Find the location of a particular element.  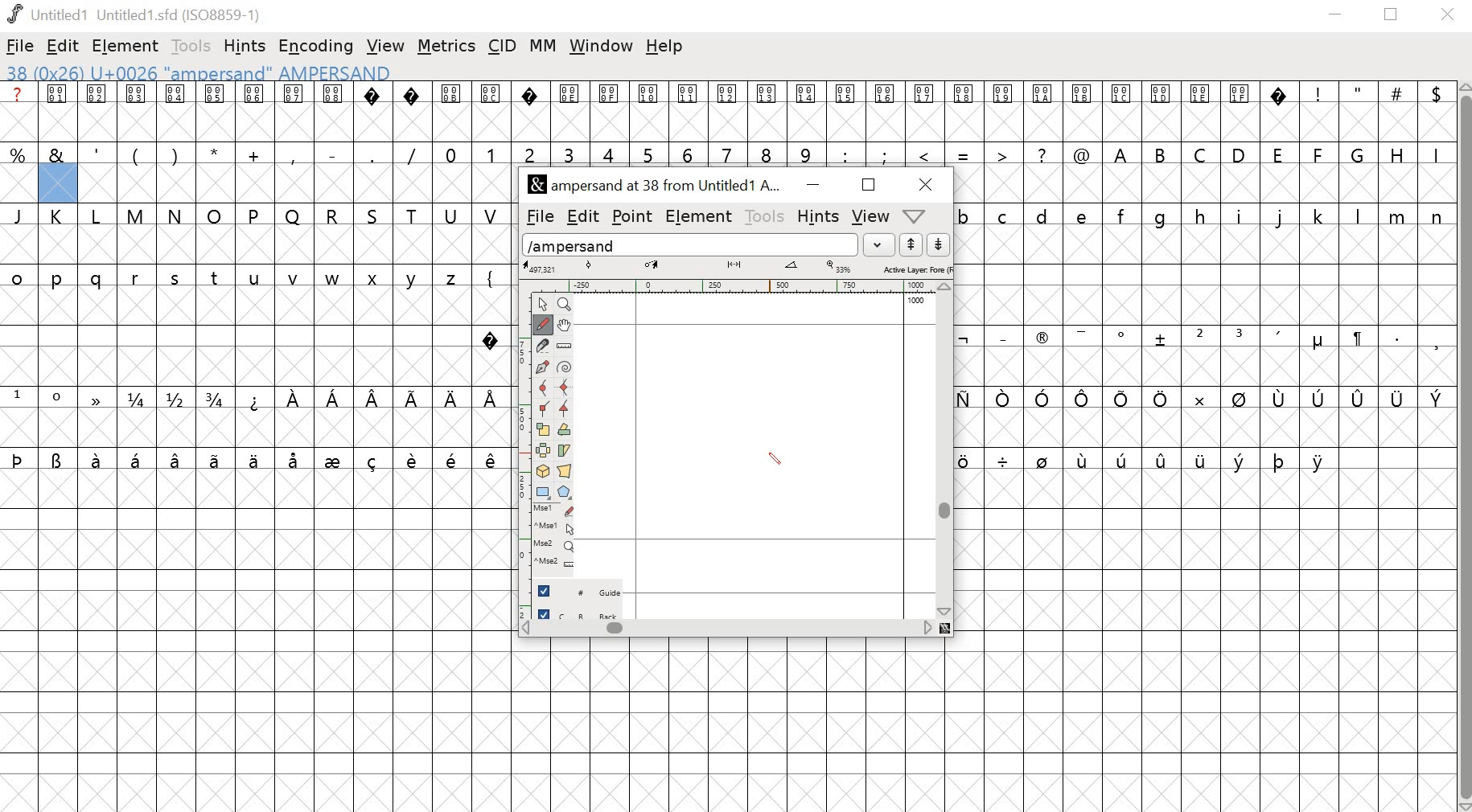

symbol is located at coordinates (491, 460).